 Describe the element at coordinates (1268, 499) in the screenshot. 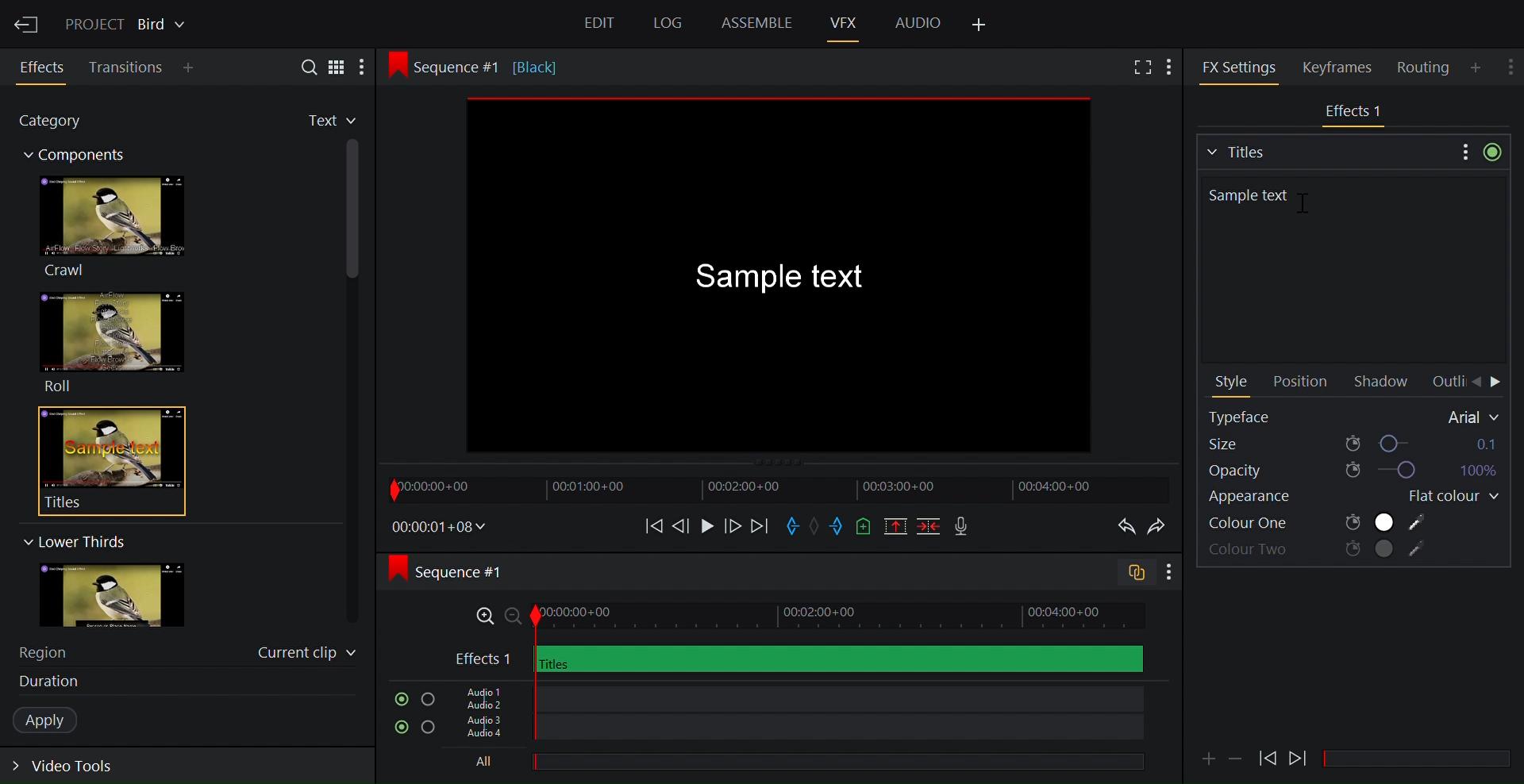

I see `Appearance` at that location.